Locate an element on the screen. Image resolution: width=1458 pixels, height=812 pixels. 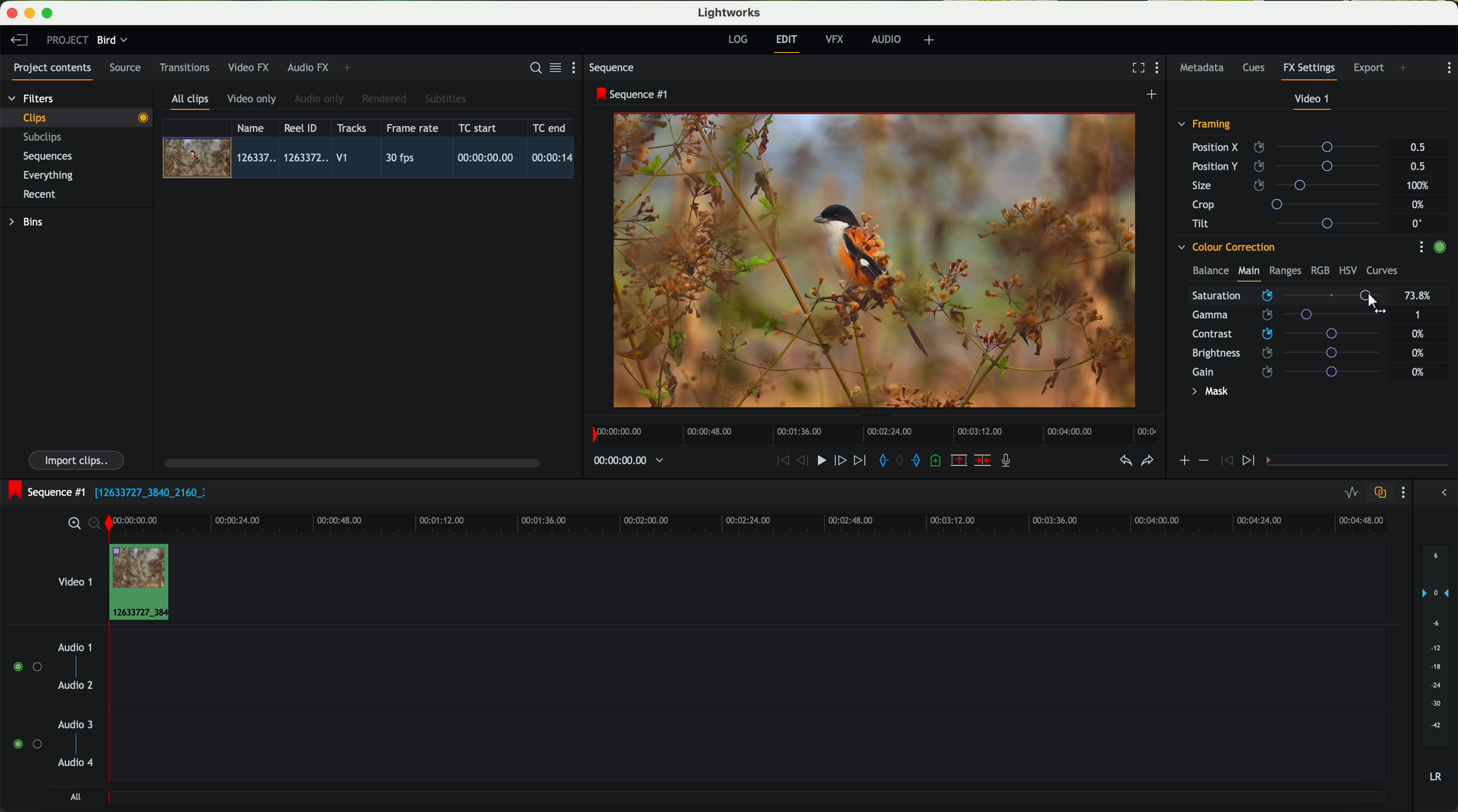
nudge one frame foward is located at coordinates (842, 461).